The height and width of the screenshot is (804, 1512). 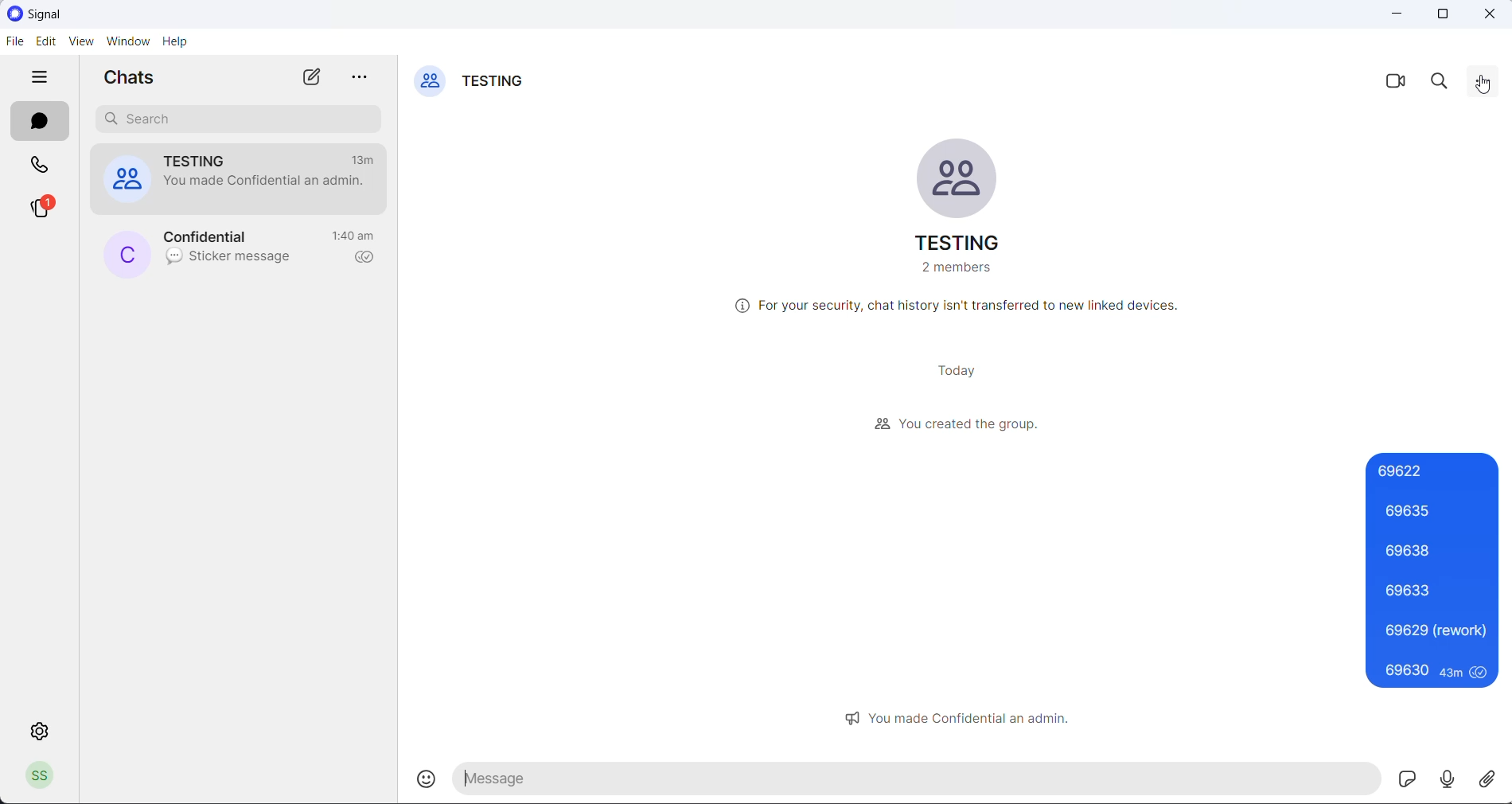 What do you see at coordinates (364, 80) in the screenshot?
I see `more options` at bounding box center [364, 80].